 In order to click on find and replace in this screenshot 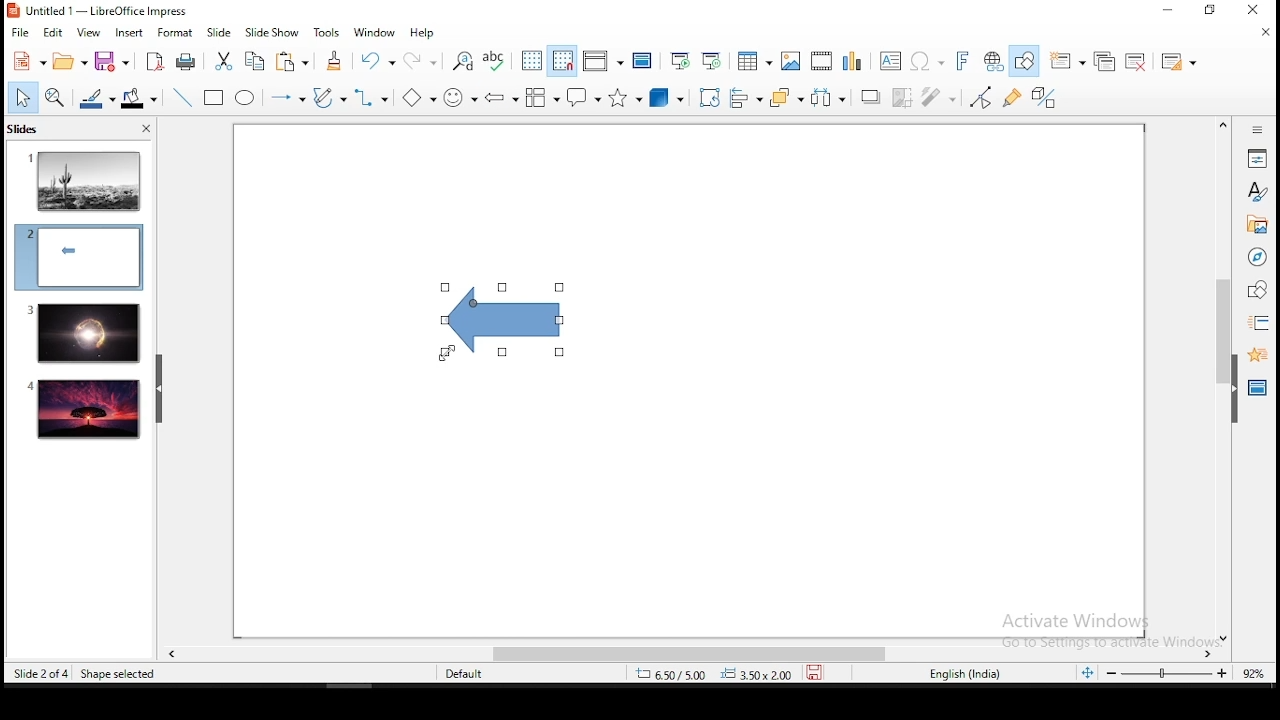, I will do `click(463, 59)`.